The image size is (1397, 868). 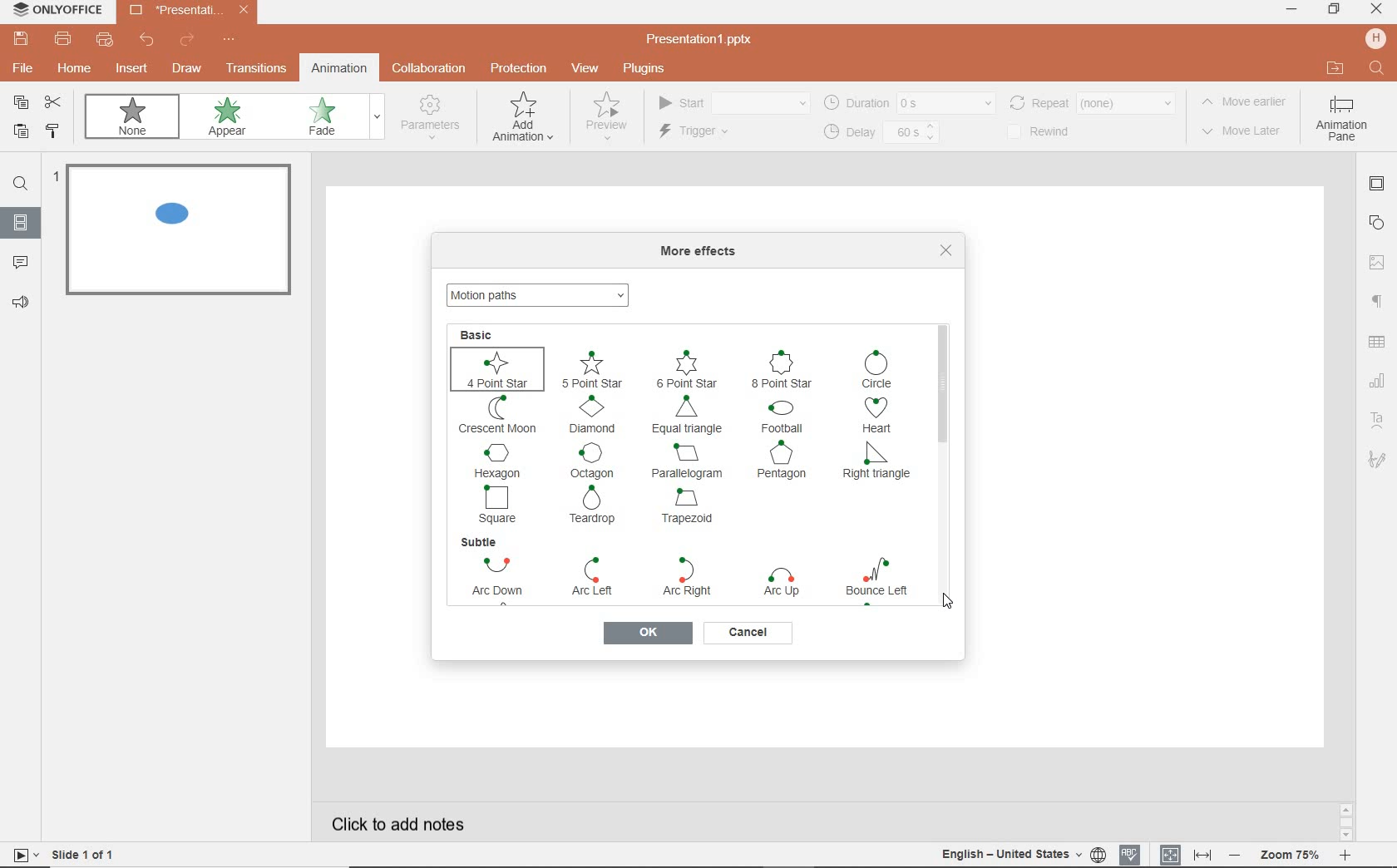 What do you see at coordinates (21, 186) in the screenshot?
I see `find` at bounding box center [21, 186].